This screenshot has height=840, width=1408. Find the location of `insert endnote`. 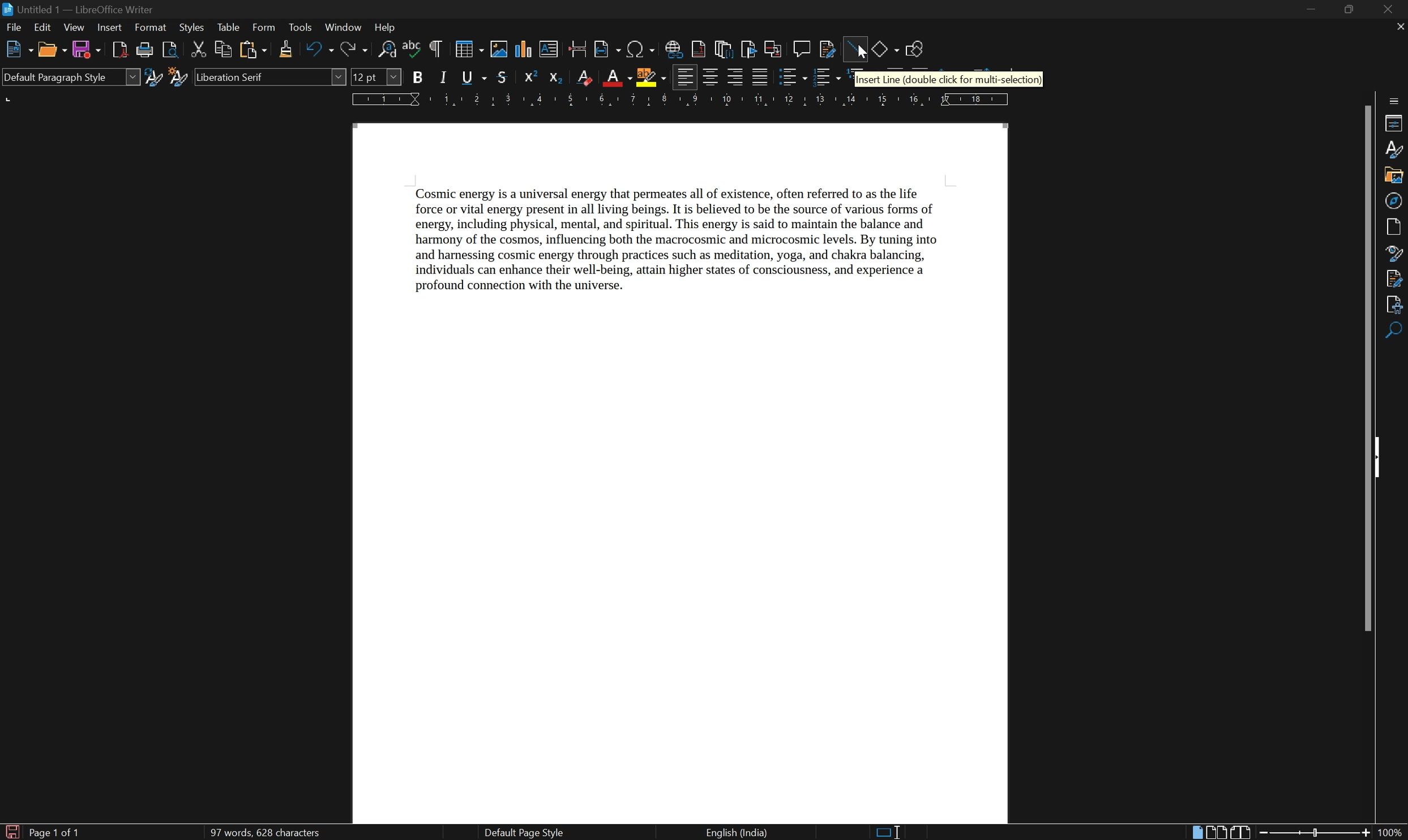

insert endnote is located at coordinates (722, 49).